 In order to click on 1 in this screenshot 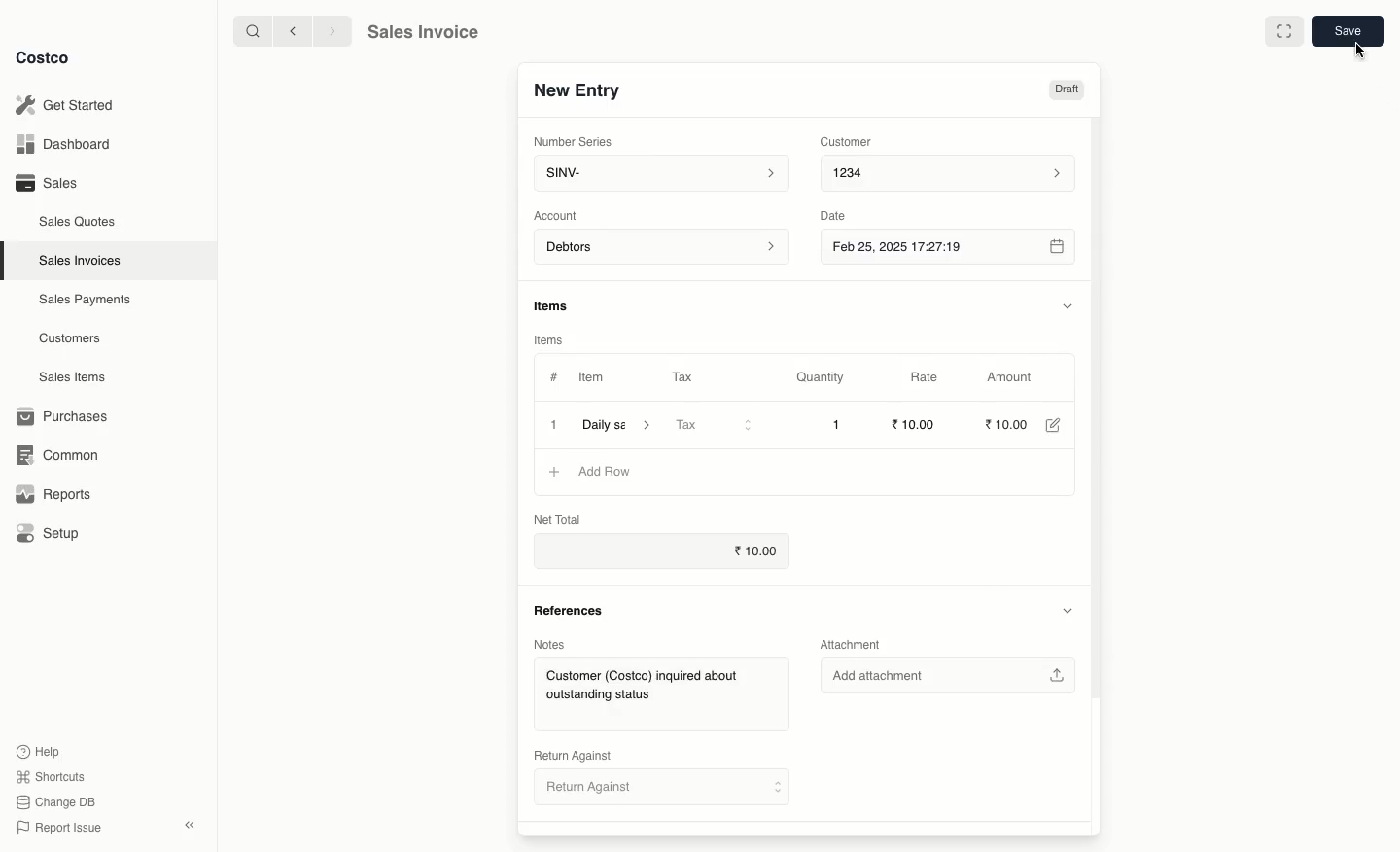, I will do `click(838, 425)`.